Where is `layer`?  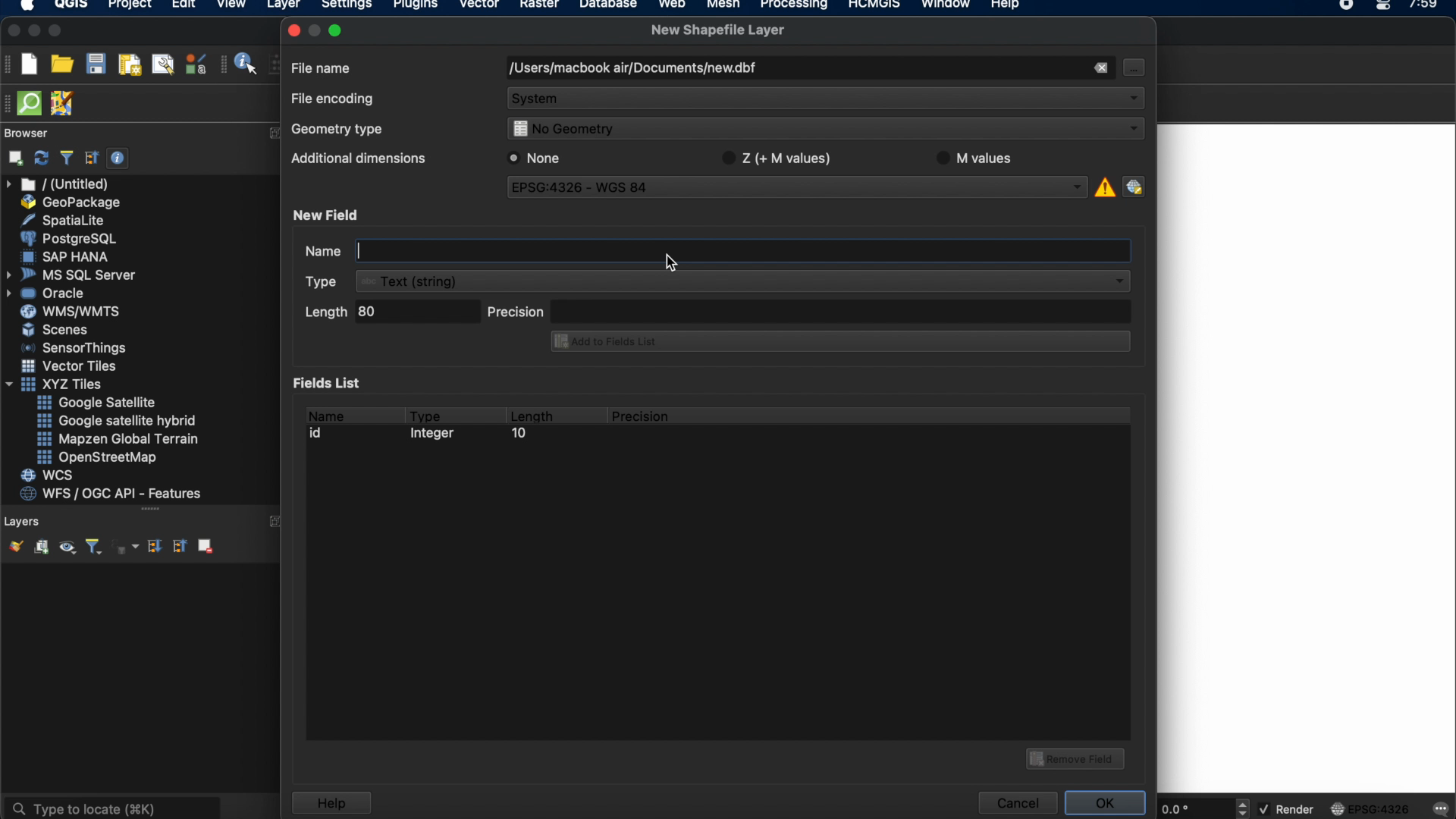
layer is located at coordinates (284, 8).